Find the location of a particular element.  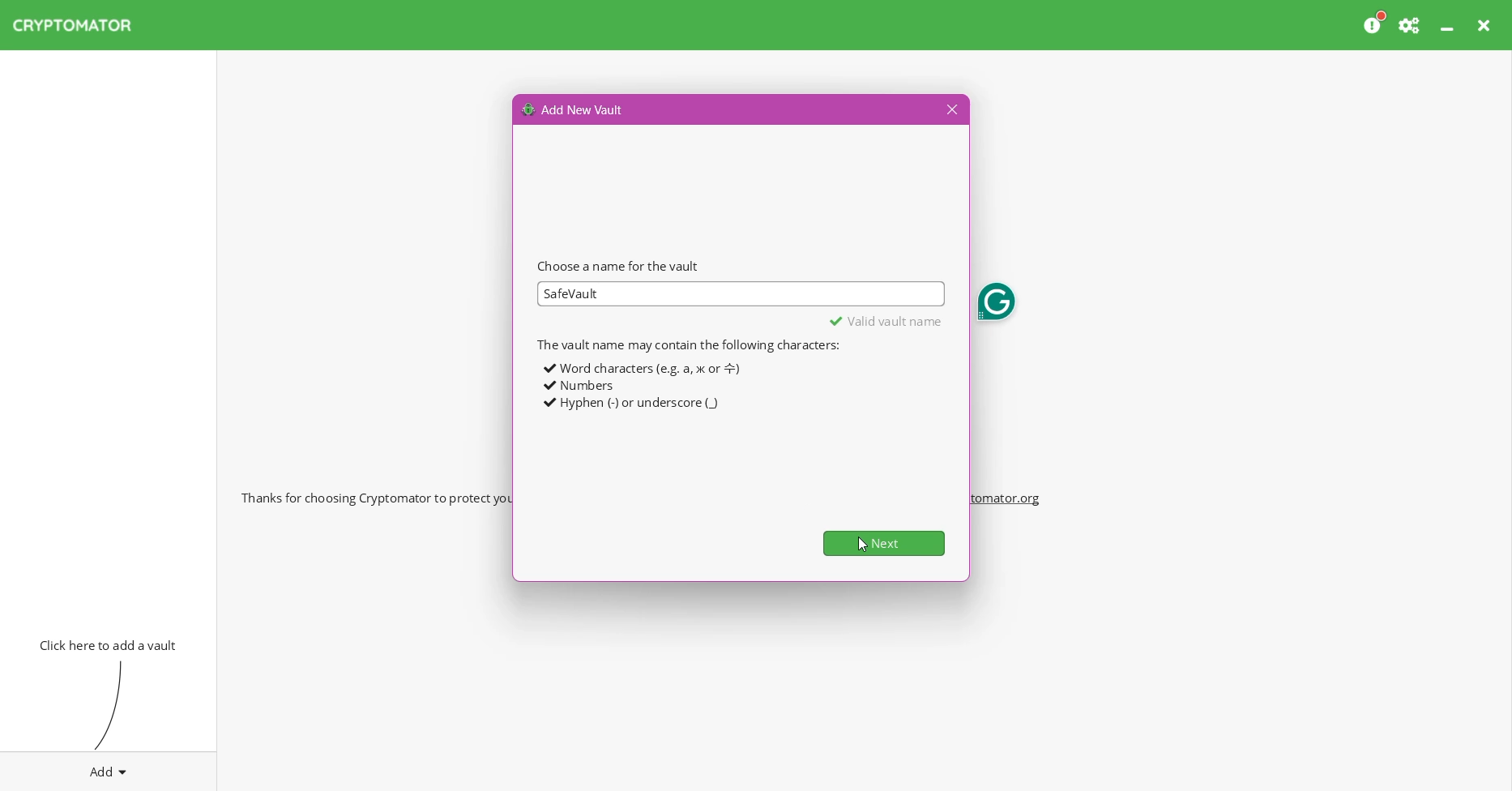

Valid vault name is located at coordinates (886, 320).